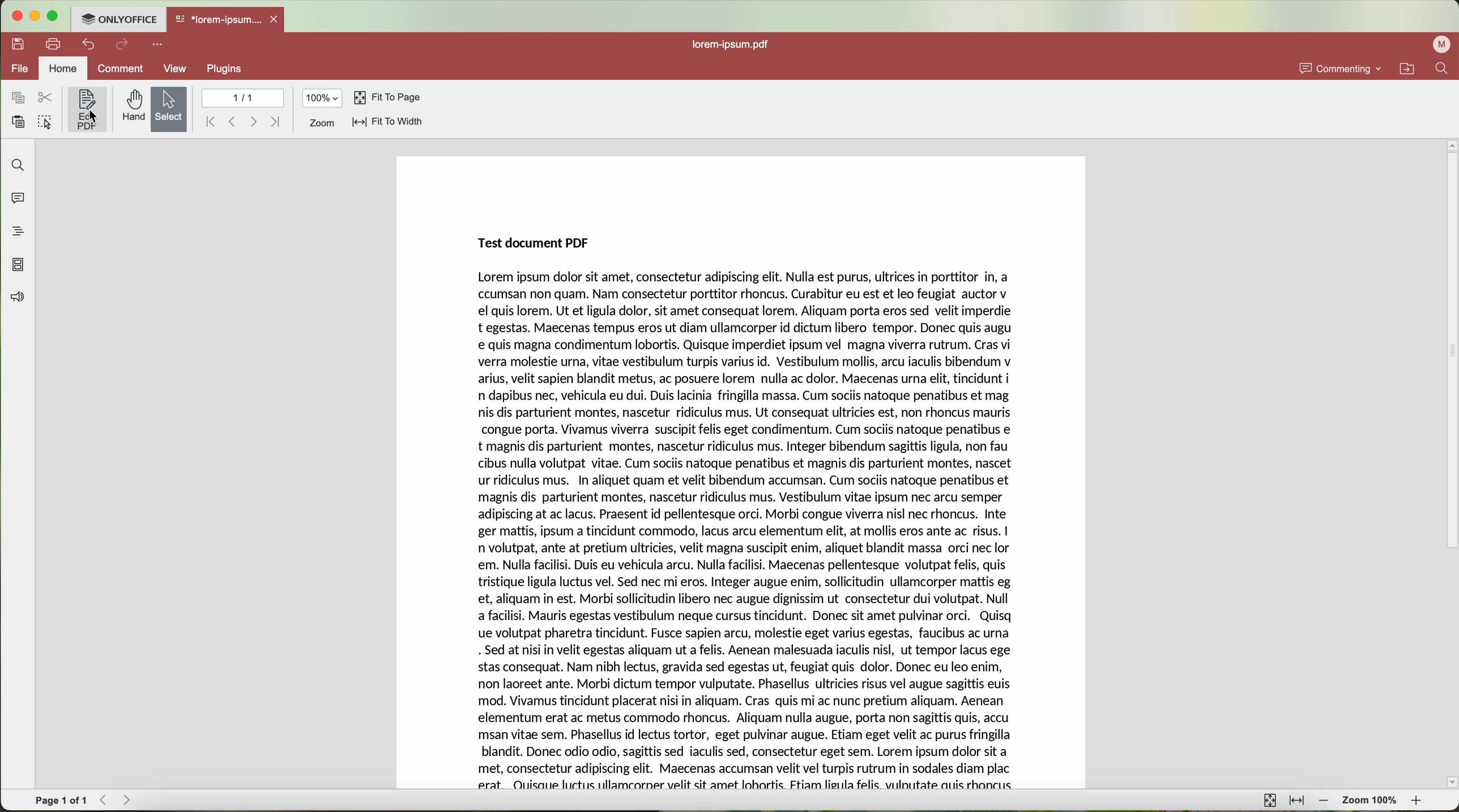  What do you see at coordinates (18, 70) in the screenshot?
I see `file` at bounding box center [18, 70].